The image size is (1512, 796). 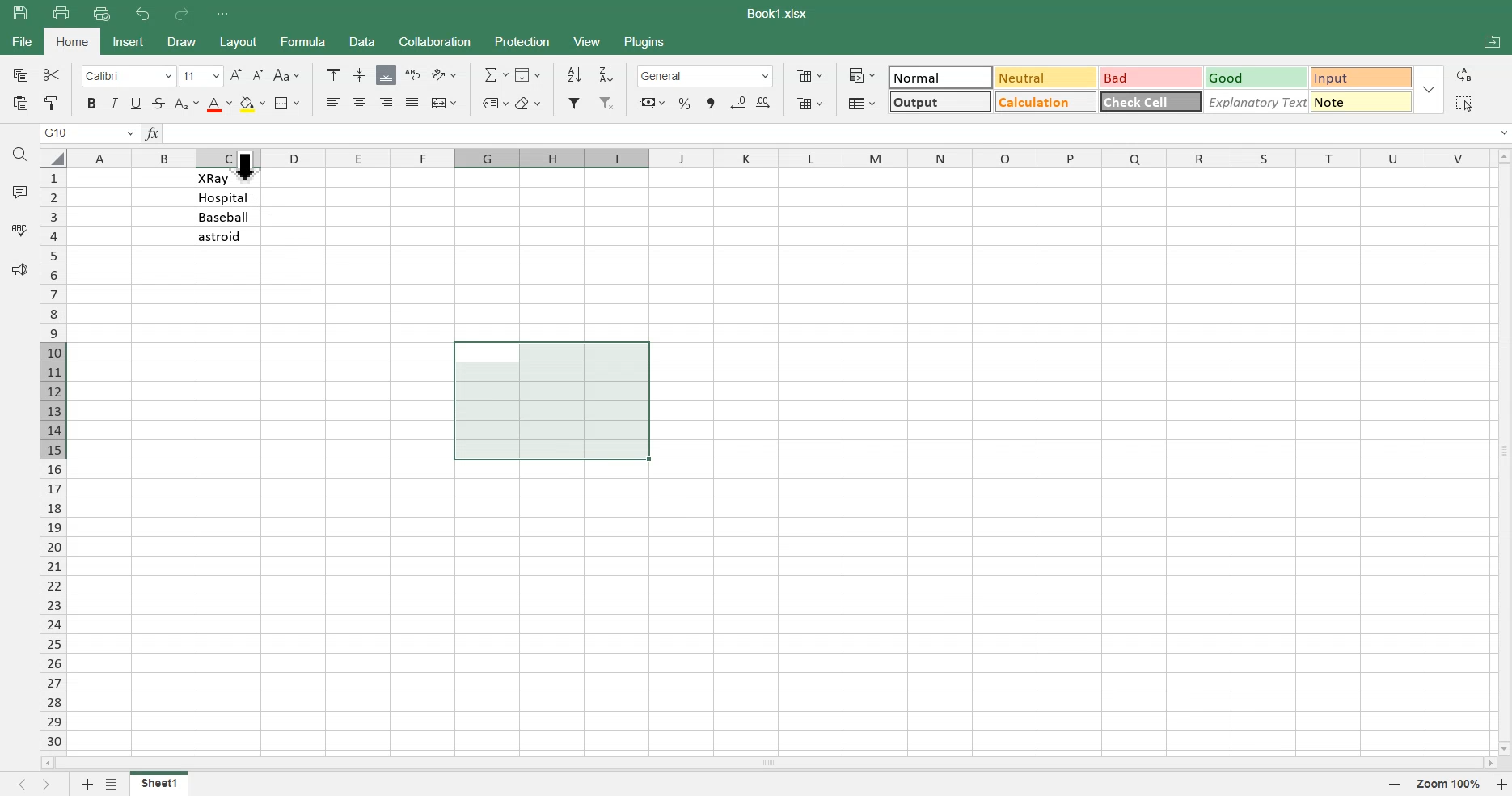 I want to click on astroid, so click(x=227, y=236).